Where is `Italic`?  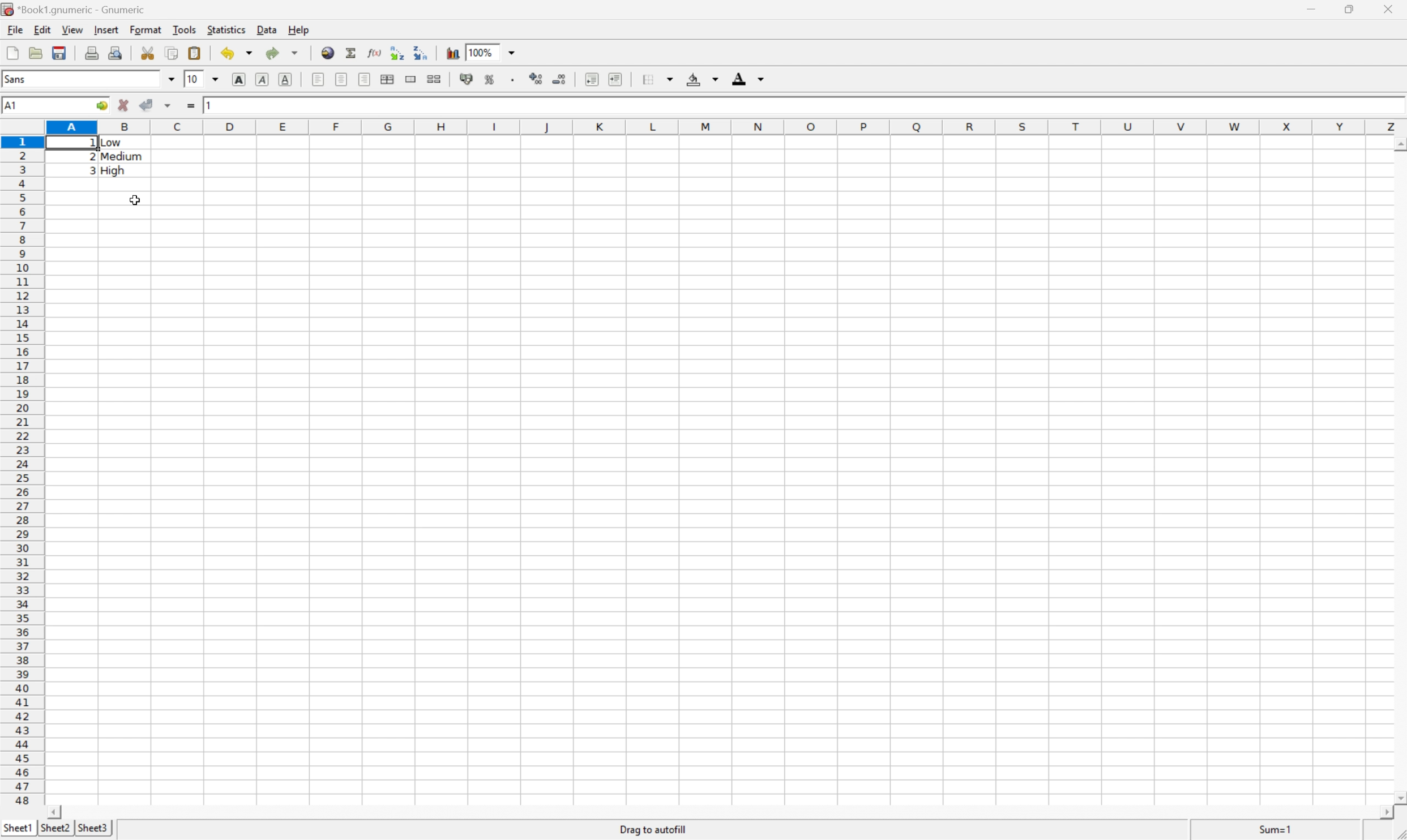
Italic is located at coordinates (263, 80).